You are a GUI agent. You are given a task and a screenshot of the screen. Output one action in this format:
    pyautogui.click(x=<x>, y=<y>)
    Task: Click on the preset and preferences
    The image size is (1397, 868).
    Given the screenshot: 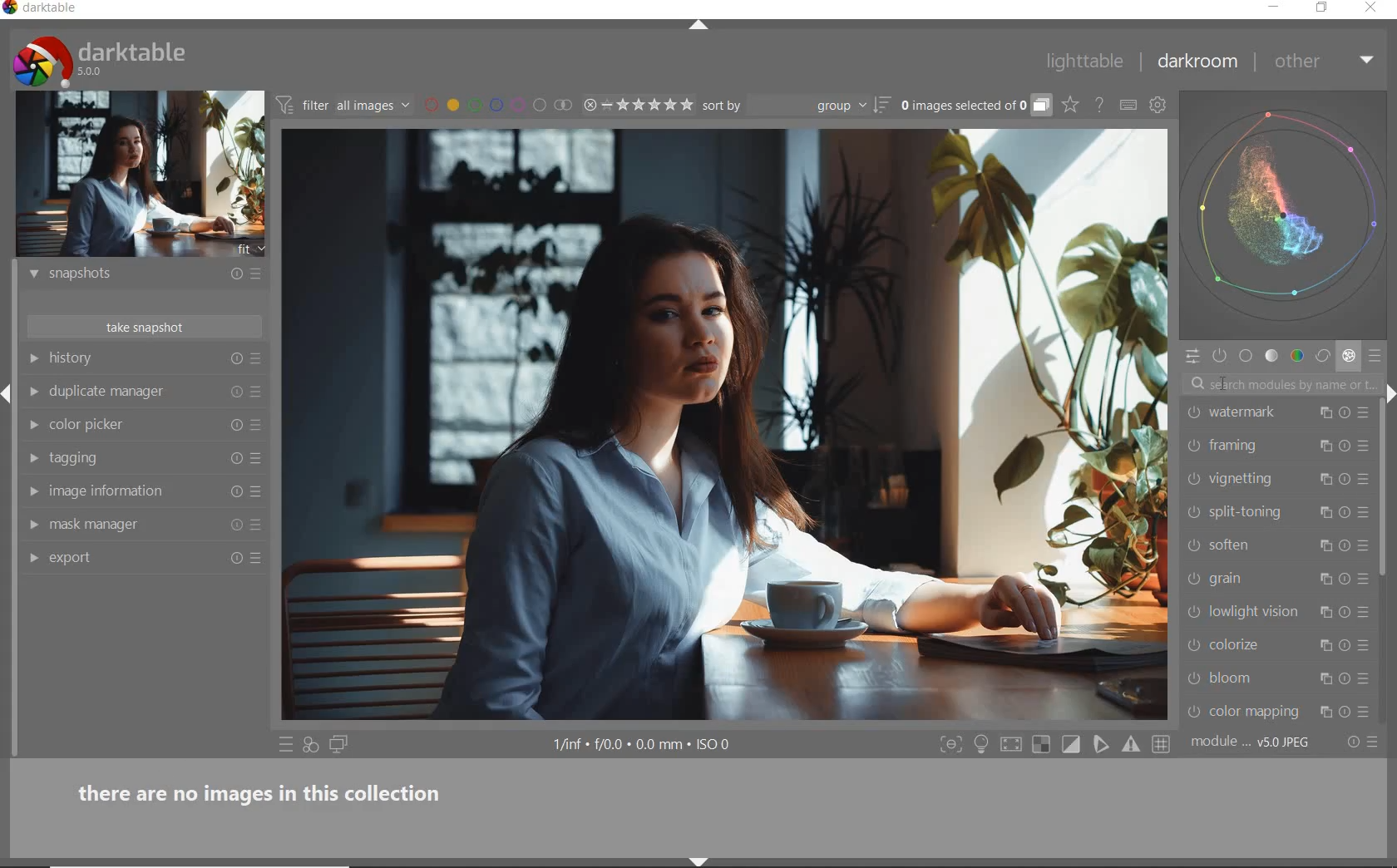 What is the action you would take?
    pyautogui.click(x=1366, y=579)
    